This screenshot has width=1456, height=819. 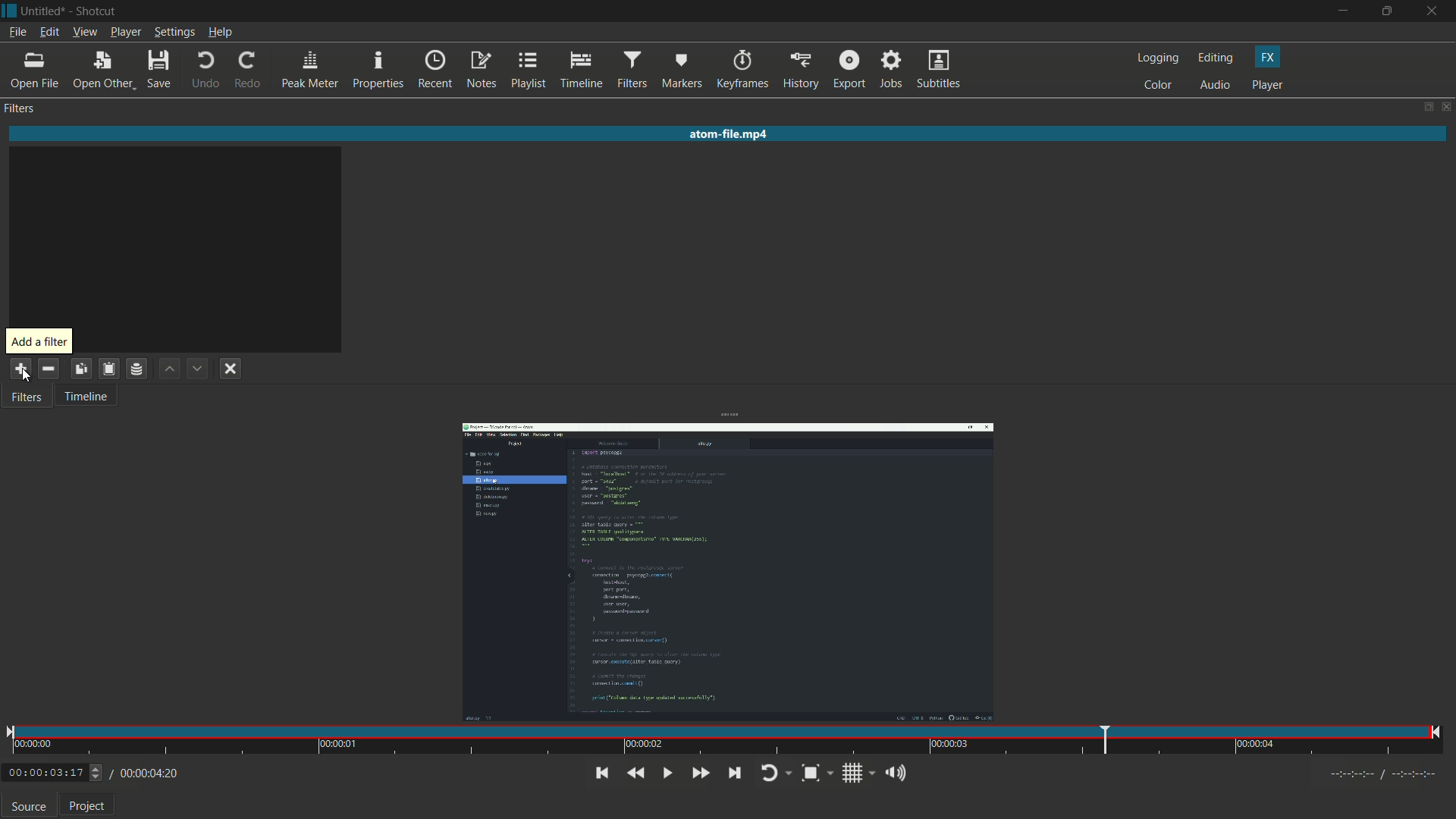 What do you see at coordinates (204, 69) in the screenshot?
I see `undo` at bounding box center [204, 69].